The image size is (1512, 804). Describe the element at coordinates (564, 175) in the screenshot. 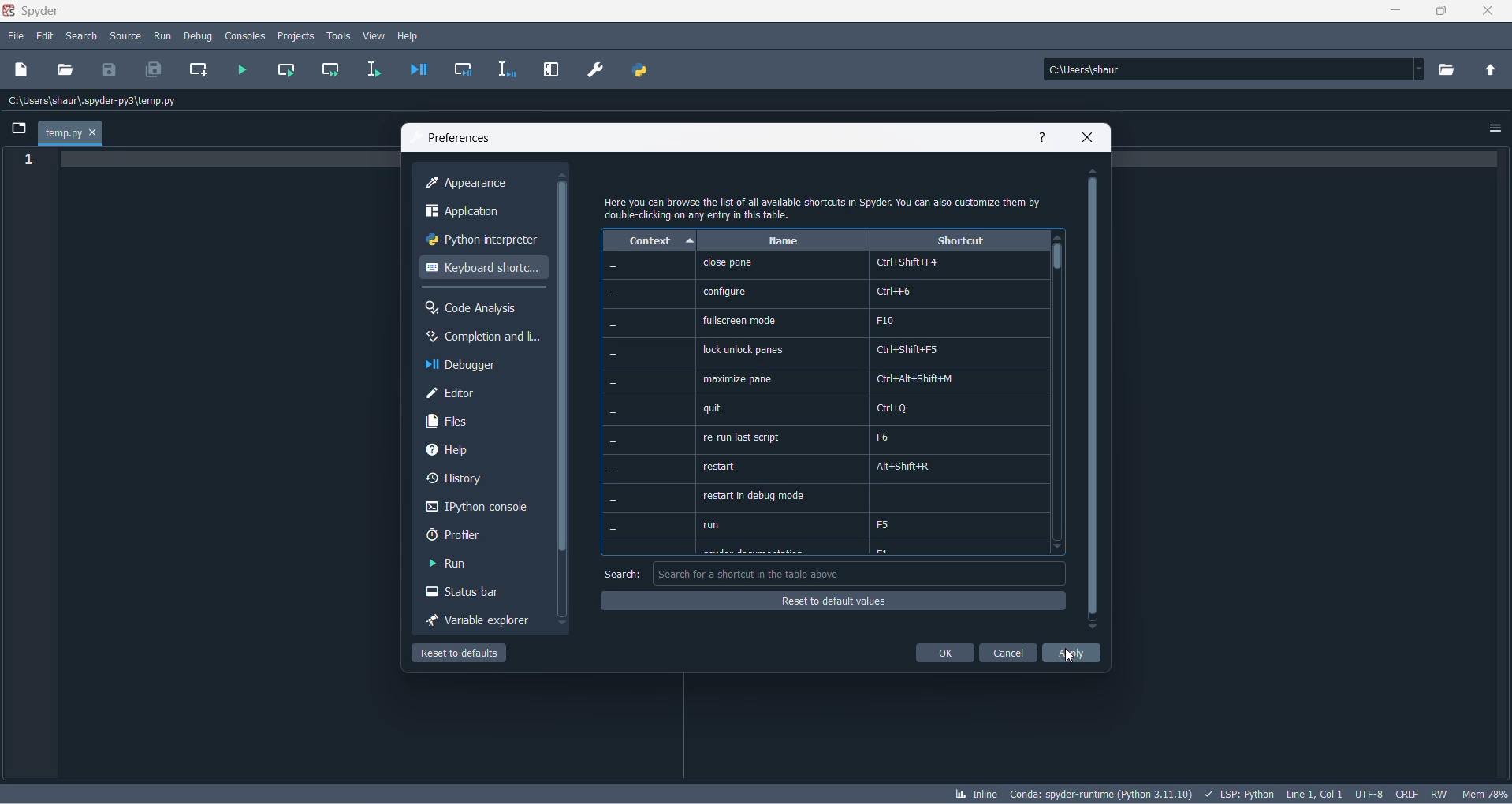

I see `move up` at that location.